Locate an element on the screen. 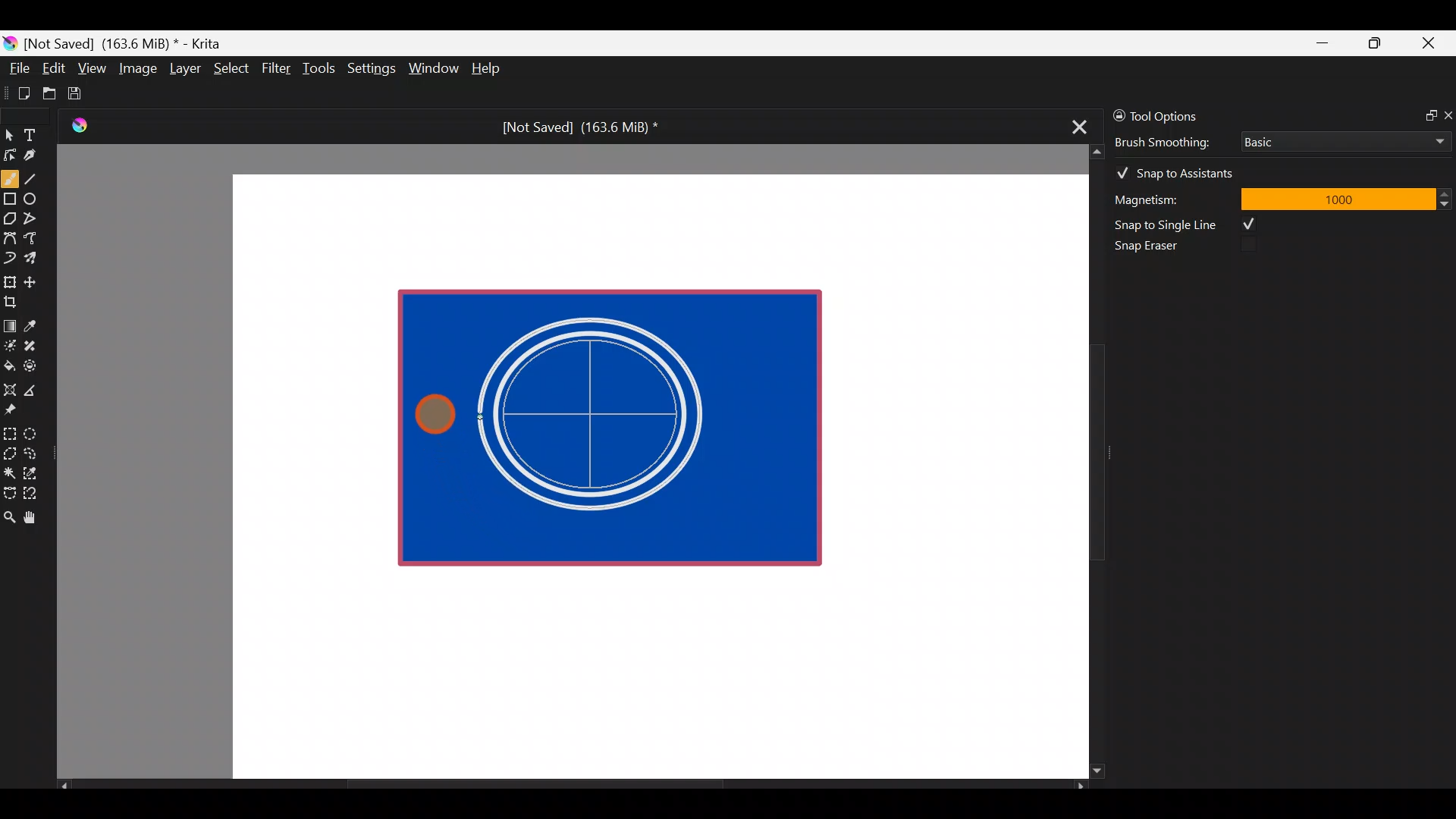  Sample a colour from the image/current layer is located at coordinates (36, 324).